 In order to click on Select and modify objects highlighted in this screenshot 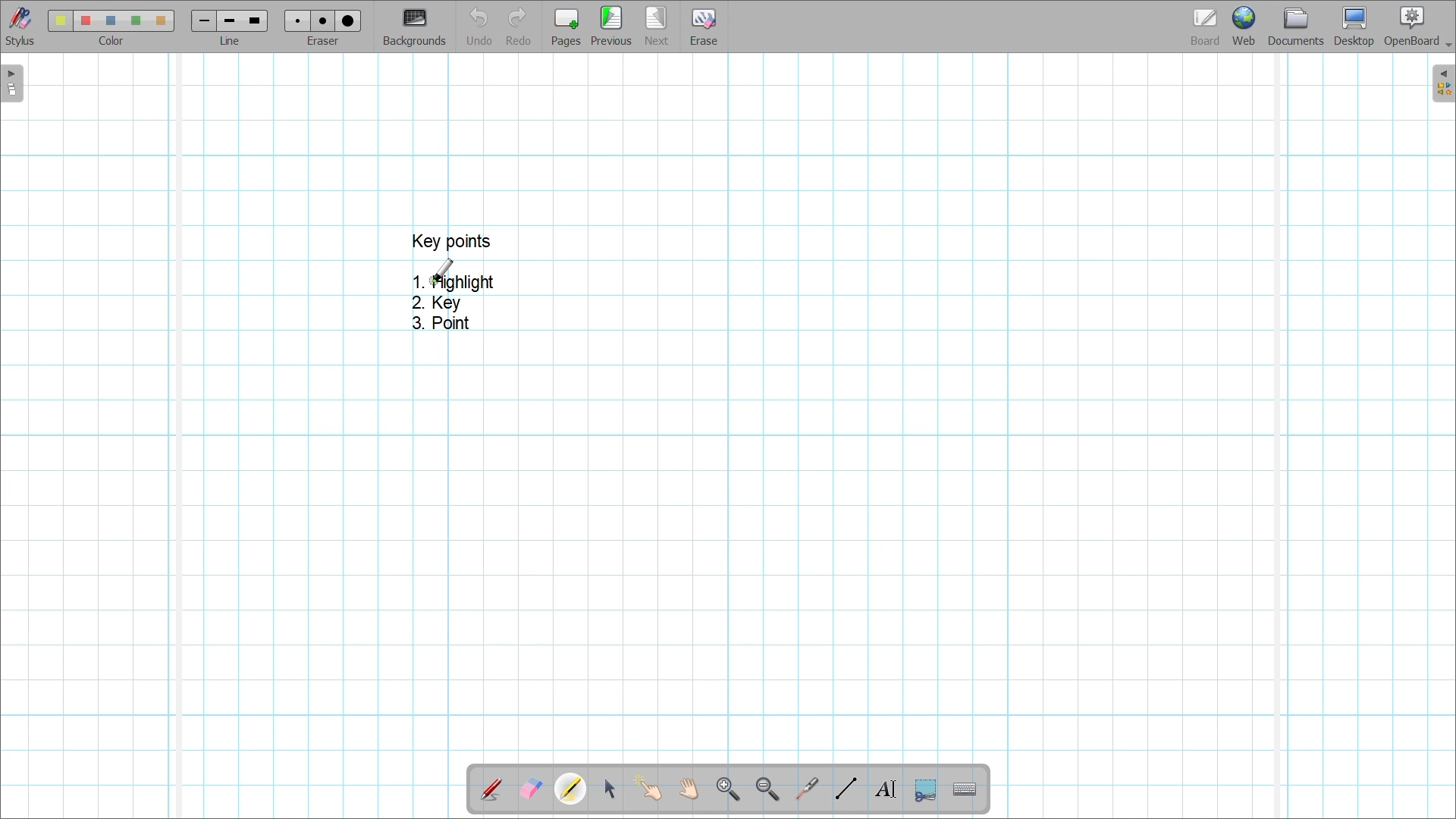, I will do `click(609, 789)`.